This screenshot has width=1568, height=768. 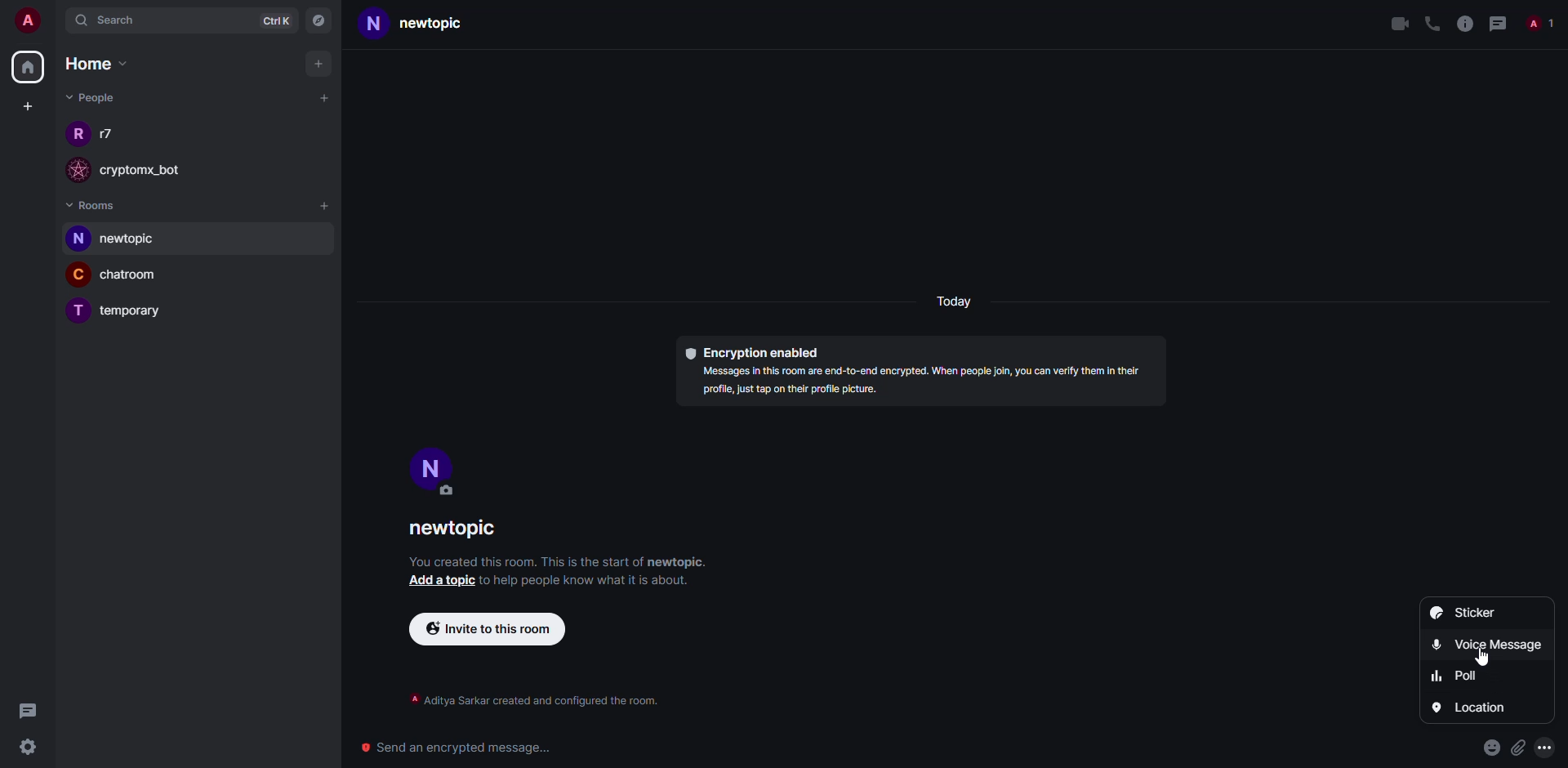 I want to click on threads, so click(x=1499, y=24).